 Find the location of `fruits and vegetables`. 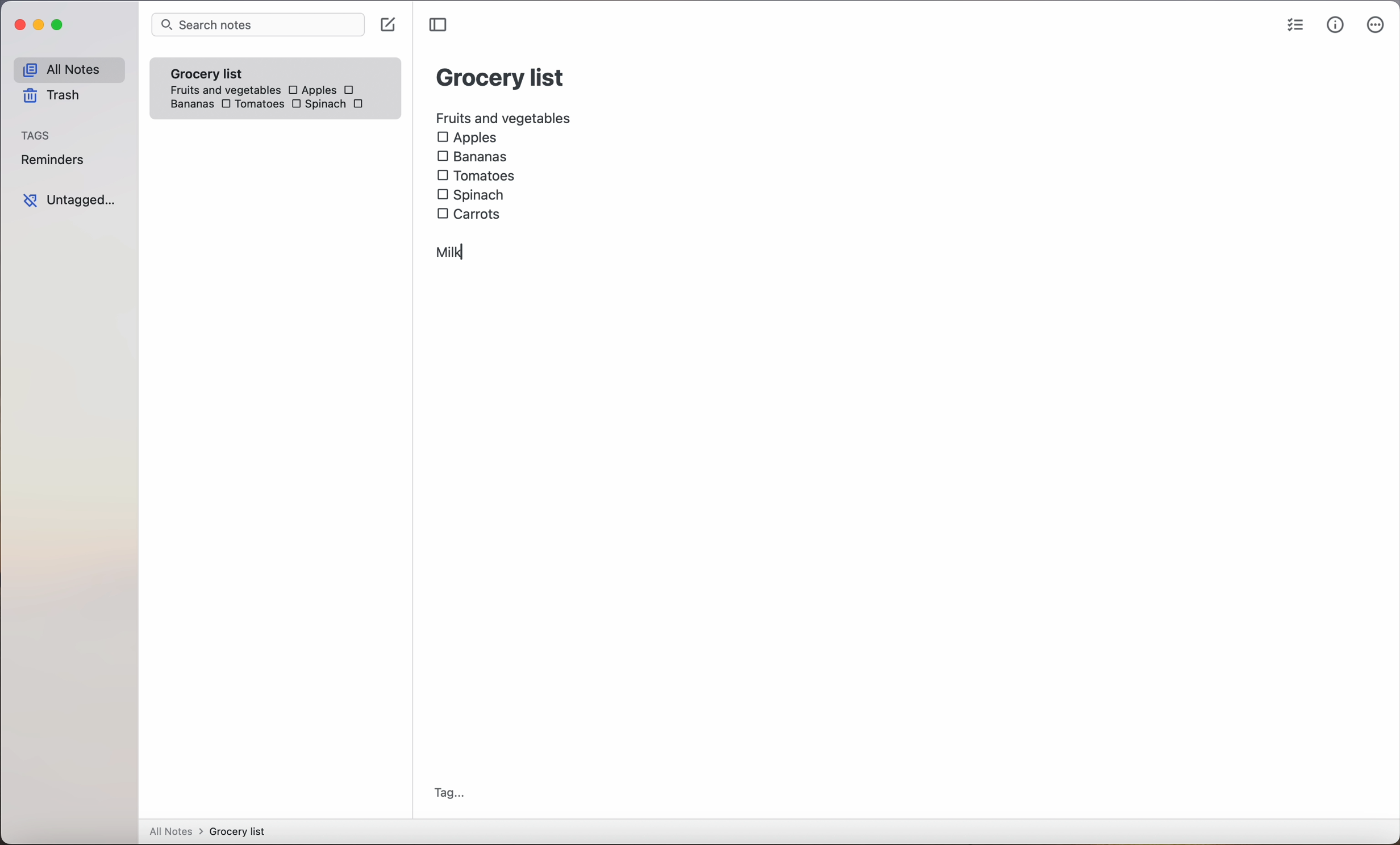

fruits and vegetables is located at coordinates (505, 116).